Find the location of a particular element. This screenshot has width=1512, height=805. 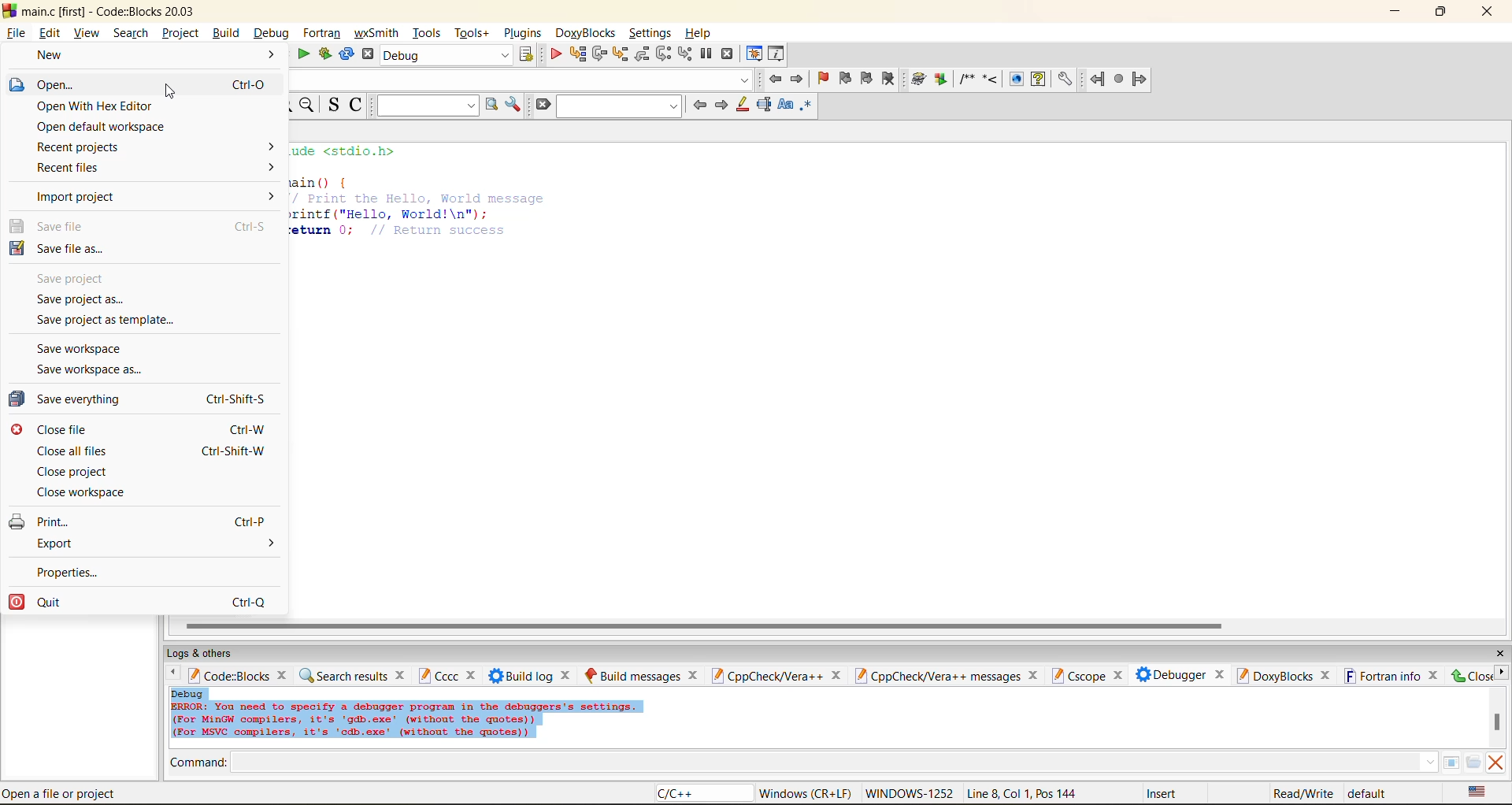

cppcheck/vera++ messages is located at coordinates (936, 676).